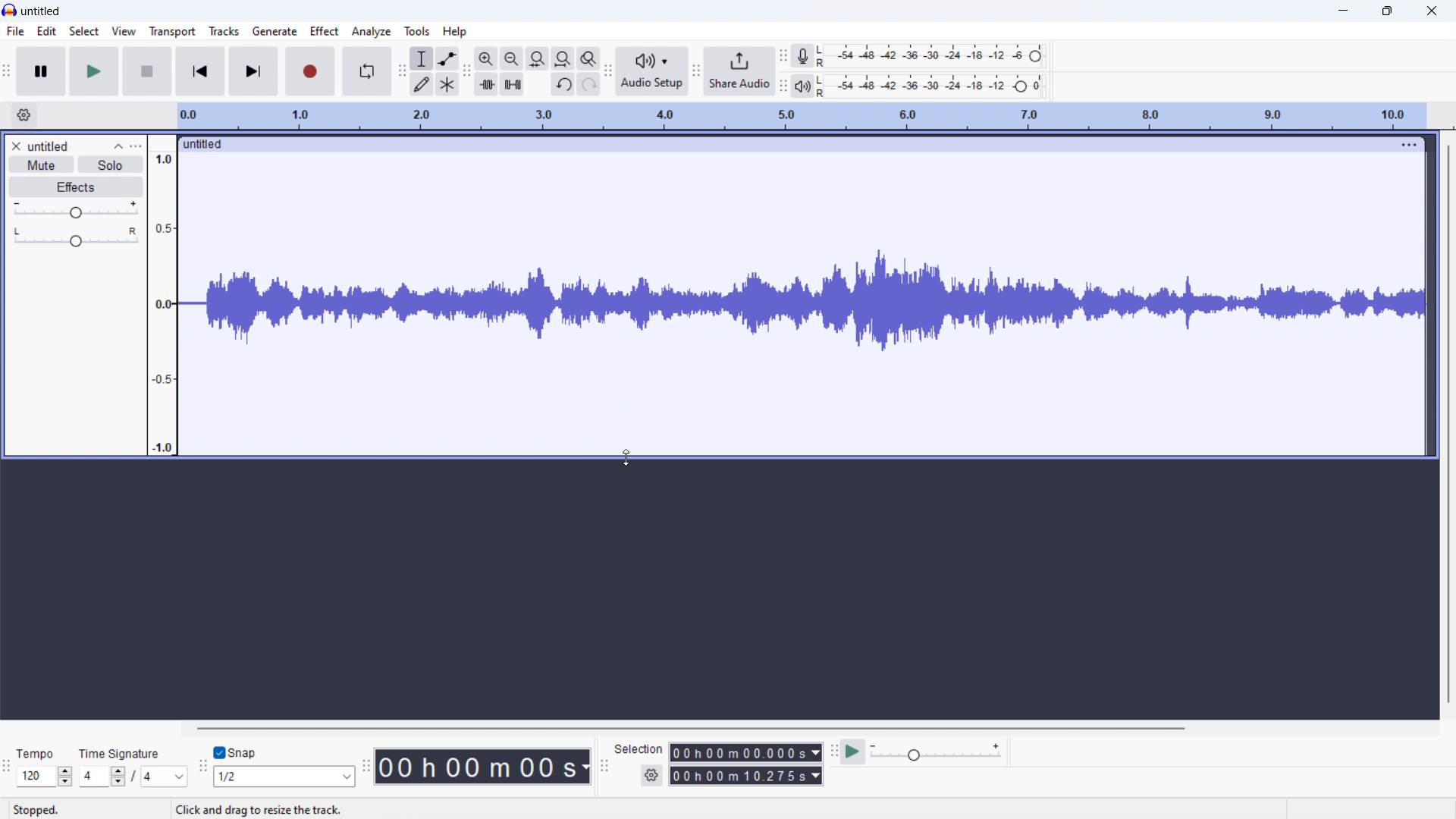 The height and width of the screenshot is (819, 1456). What do you see at coordinates (537, 59) in the screenshot?
I see `fit selection to width` at bounding box center [537, 59].